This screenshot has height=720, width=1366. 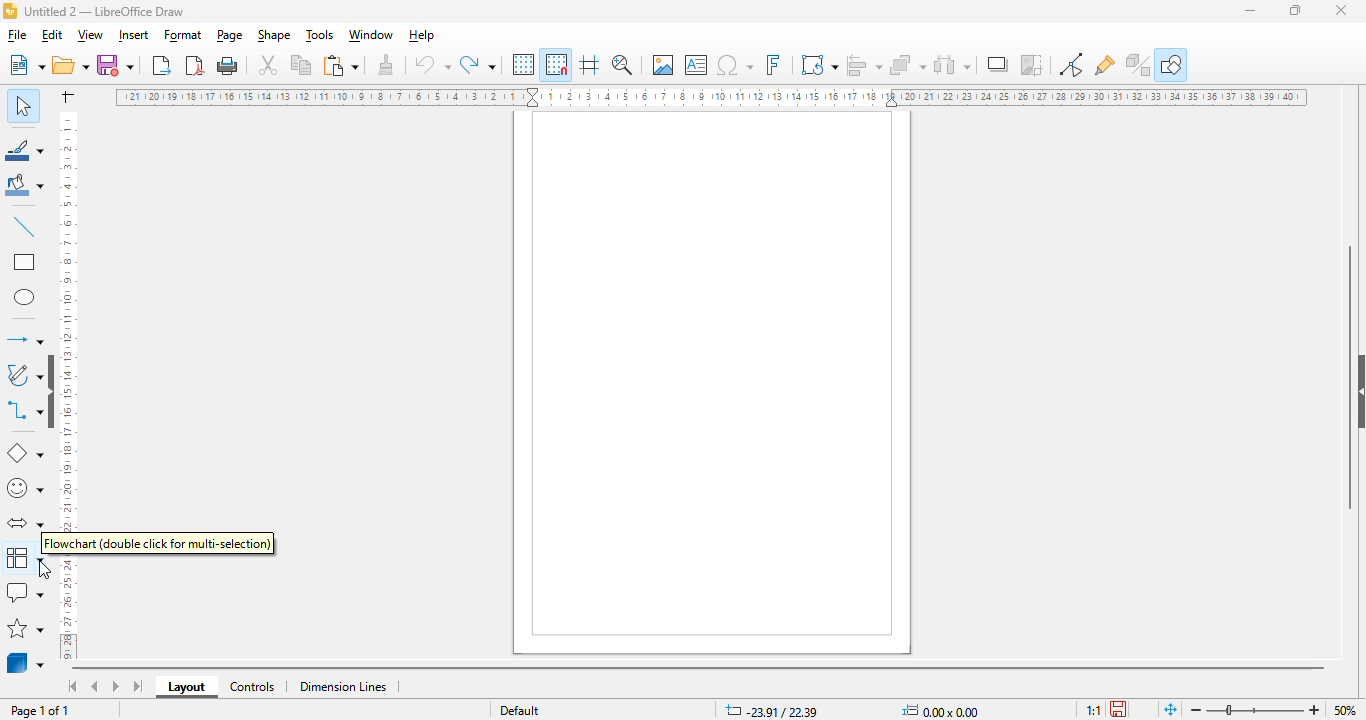 I want to click on help, so click(x=423, y=37).